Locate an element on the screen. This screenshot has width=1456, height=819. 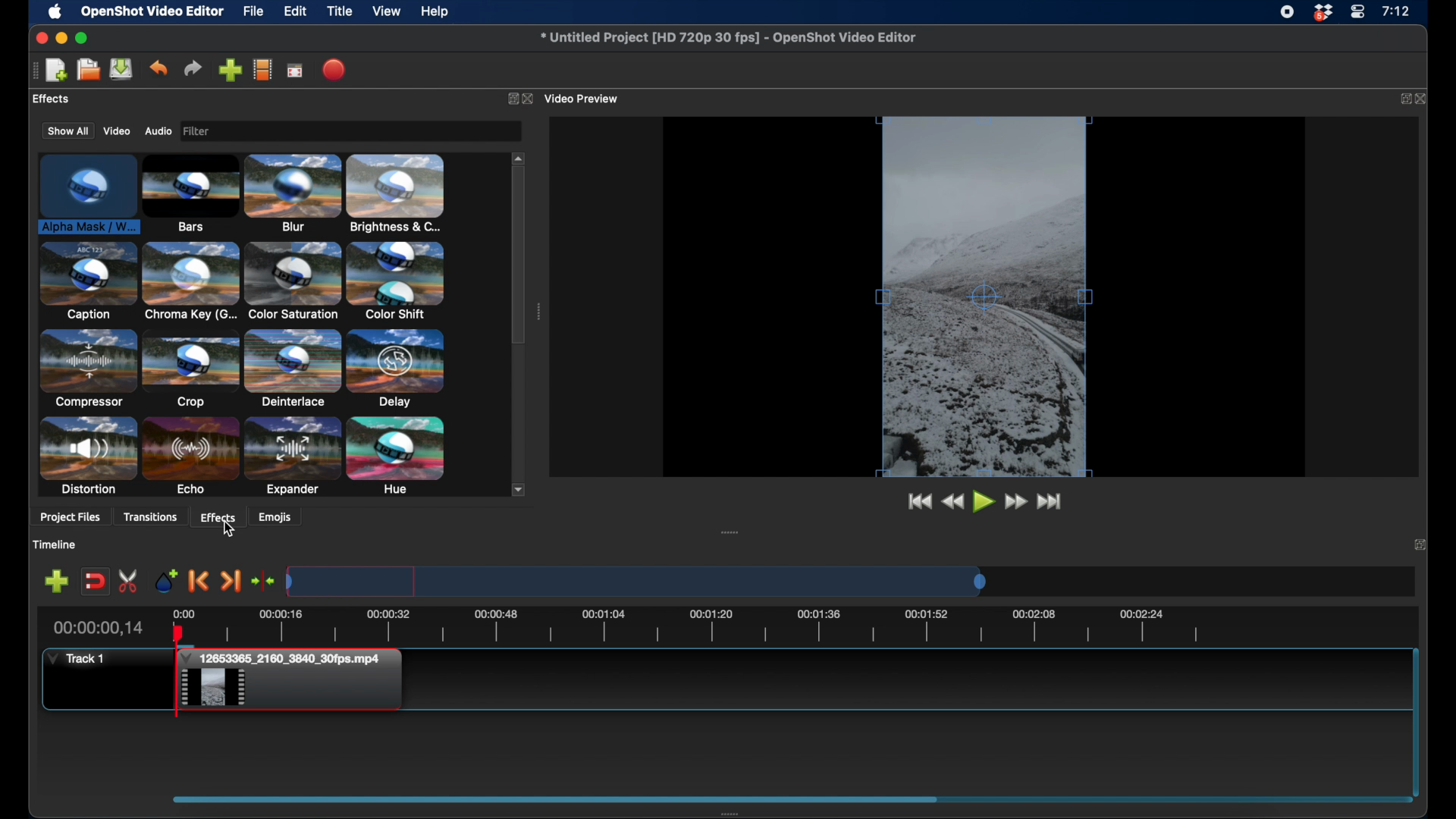
drag handle is located at coordinates (538, 312).